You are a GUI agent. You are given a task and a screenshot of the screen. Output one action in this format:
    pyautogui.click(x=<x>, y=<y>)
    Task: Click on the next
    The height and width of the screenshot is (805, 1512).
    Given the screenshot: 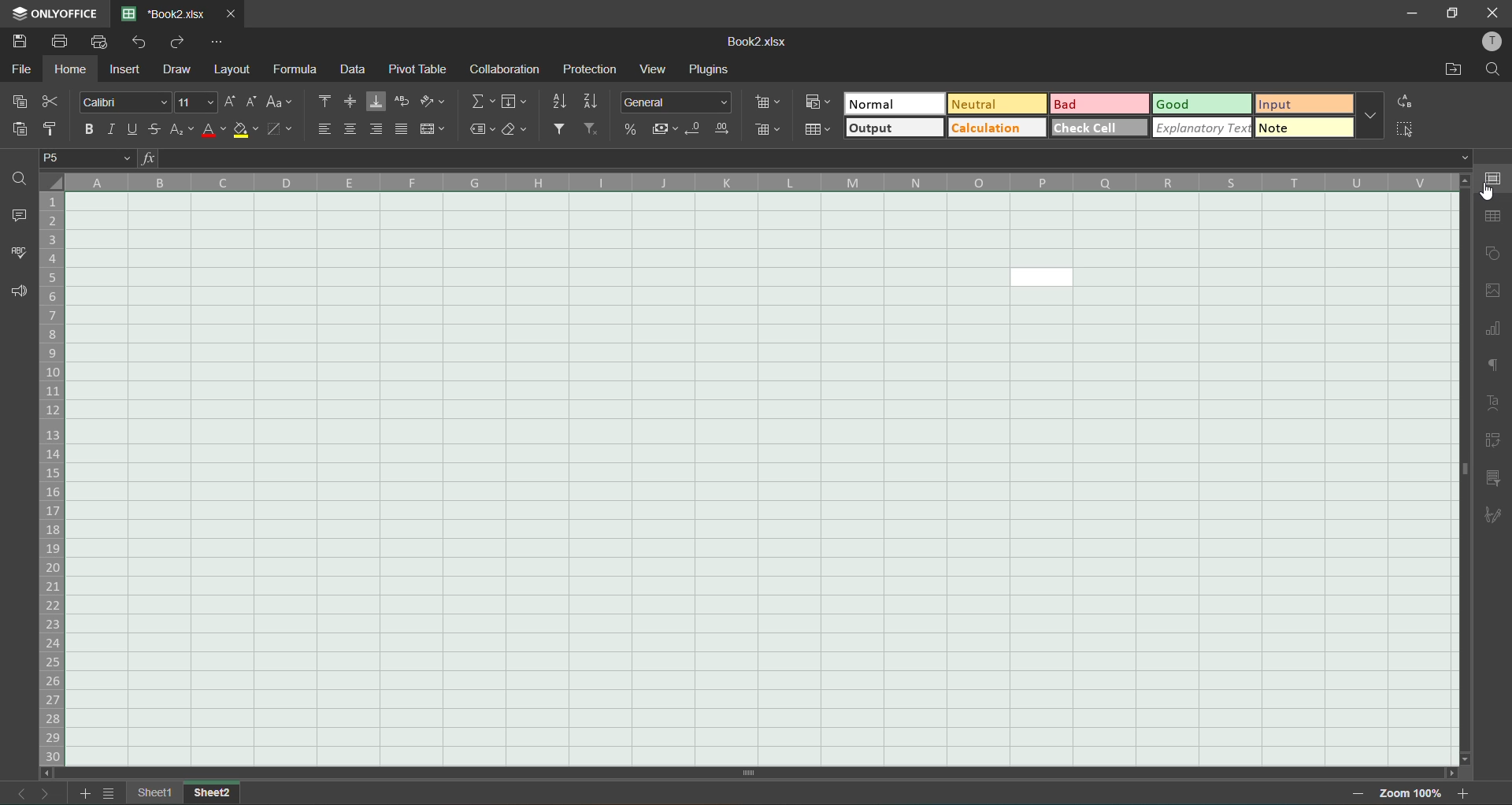 What is the action you would take?
    pyautogui.click(x=46, y=793)
    